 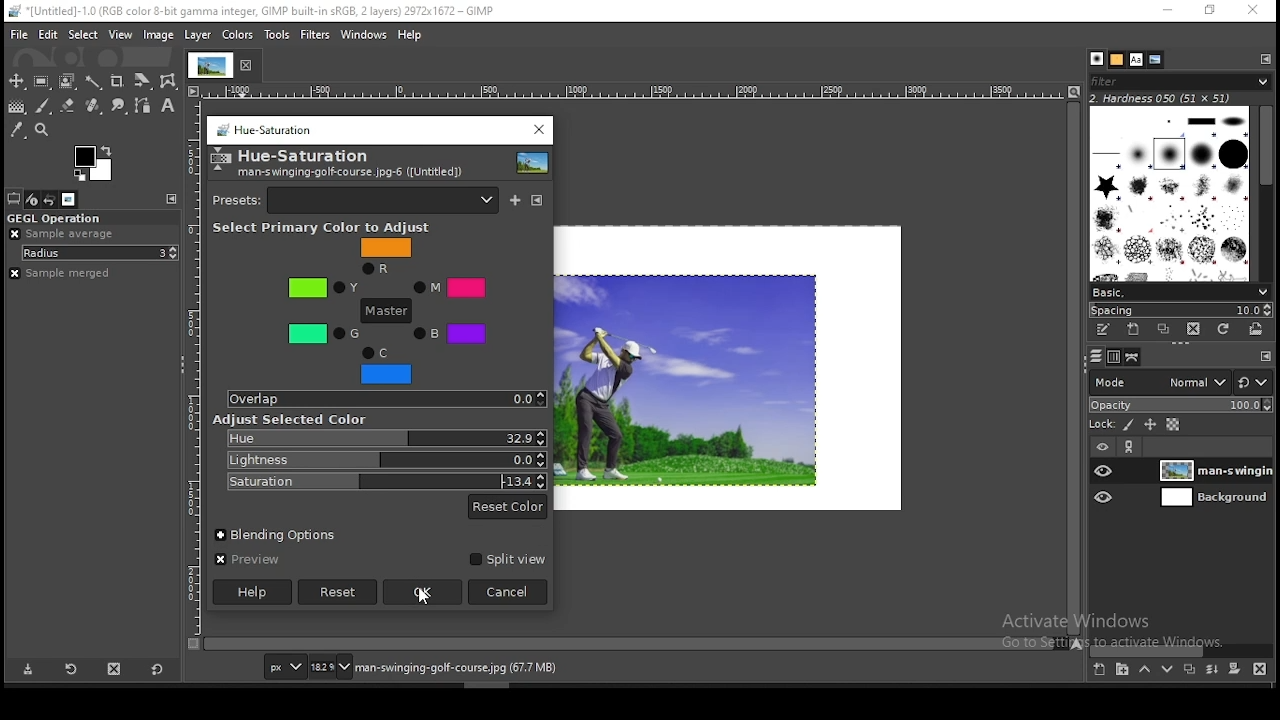 I want to click on foreground select tool, so click(x=66, y=81).